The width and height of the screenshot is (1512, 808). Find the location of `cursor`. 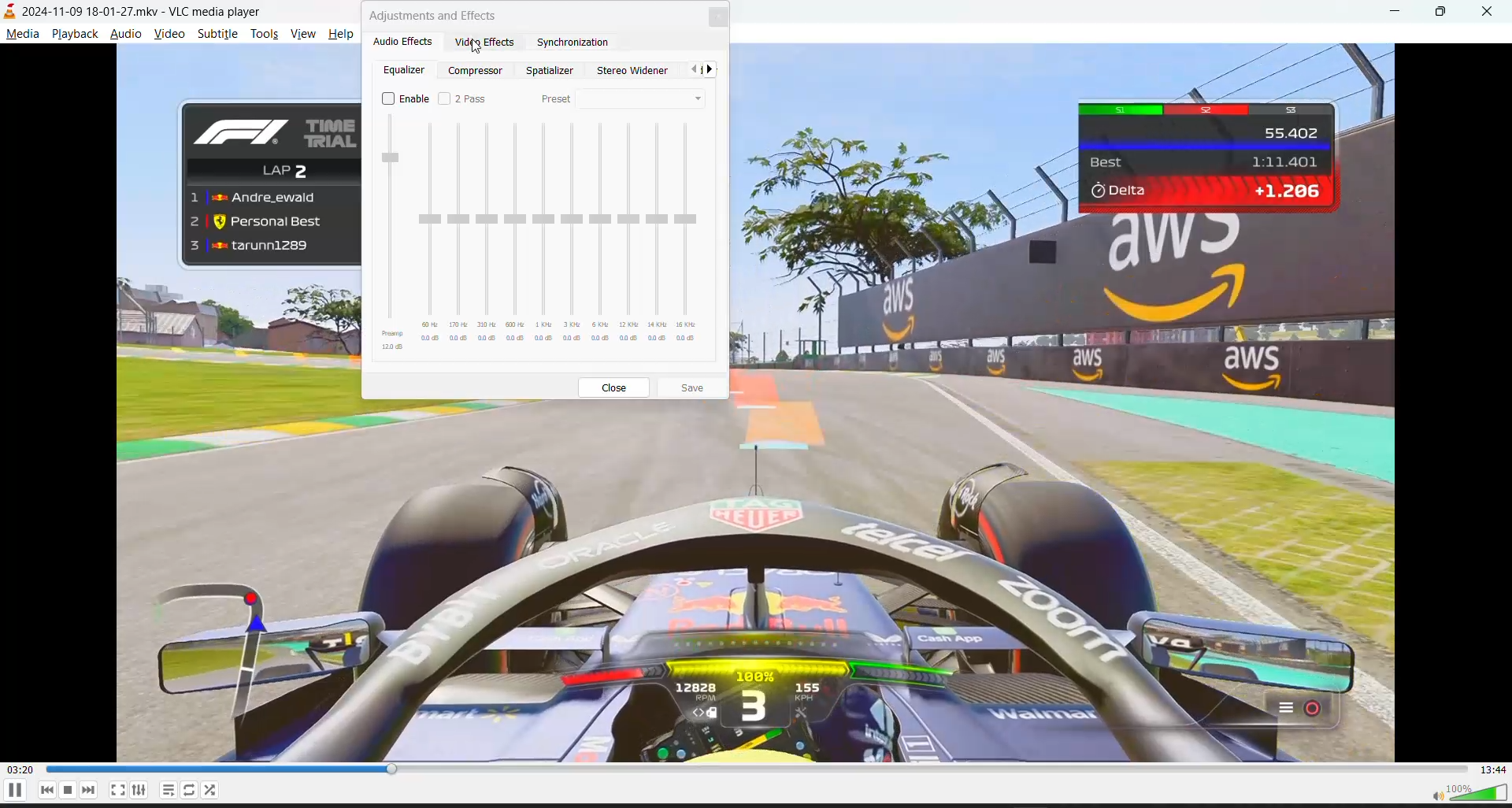

cursor is located at coordinates (476, 49).